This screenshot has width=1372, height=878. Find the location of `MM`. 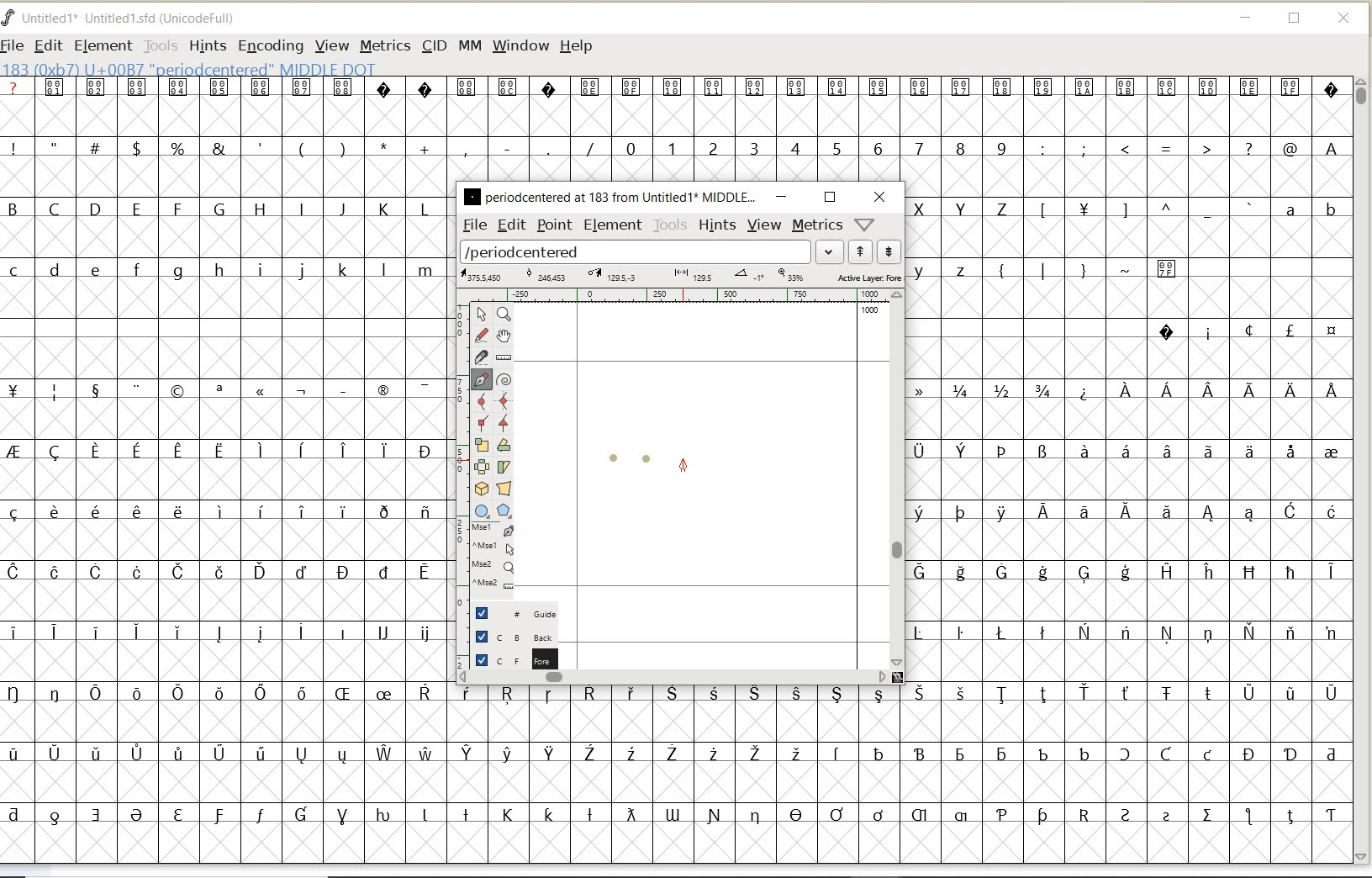

MM is located at coordinates (470, 46).